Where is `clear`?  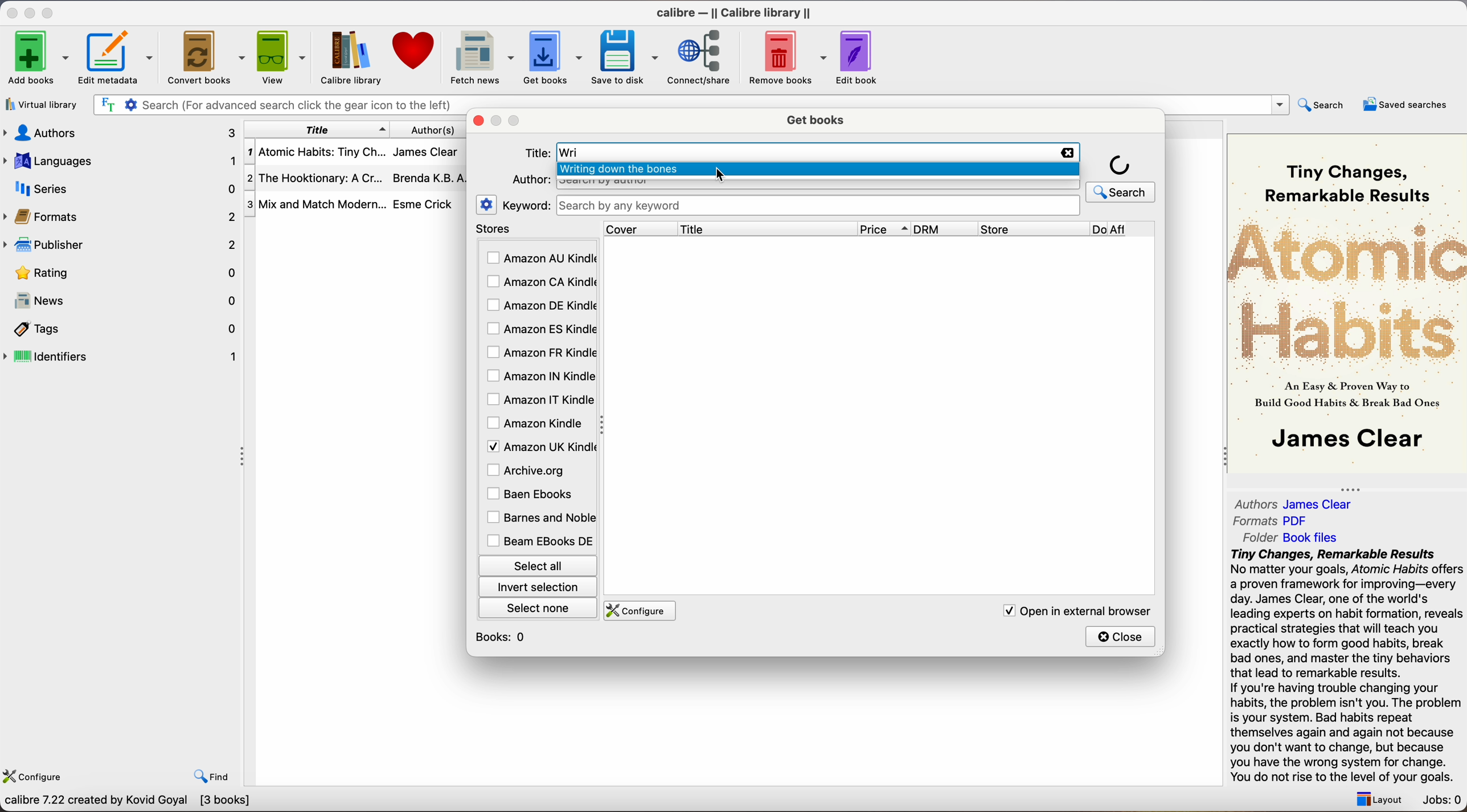
clear is located at coordinates (1065, 153).